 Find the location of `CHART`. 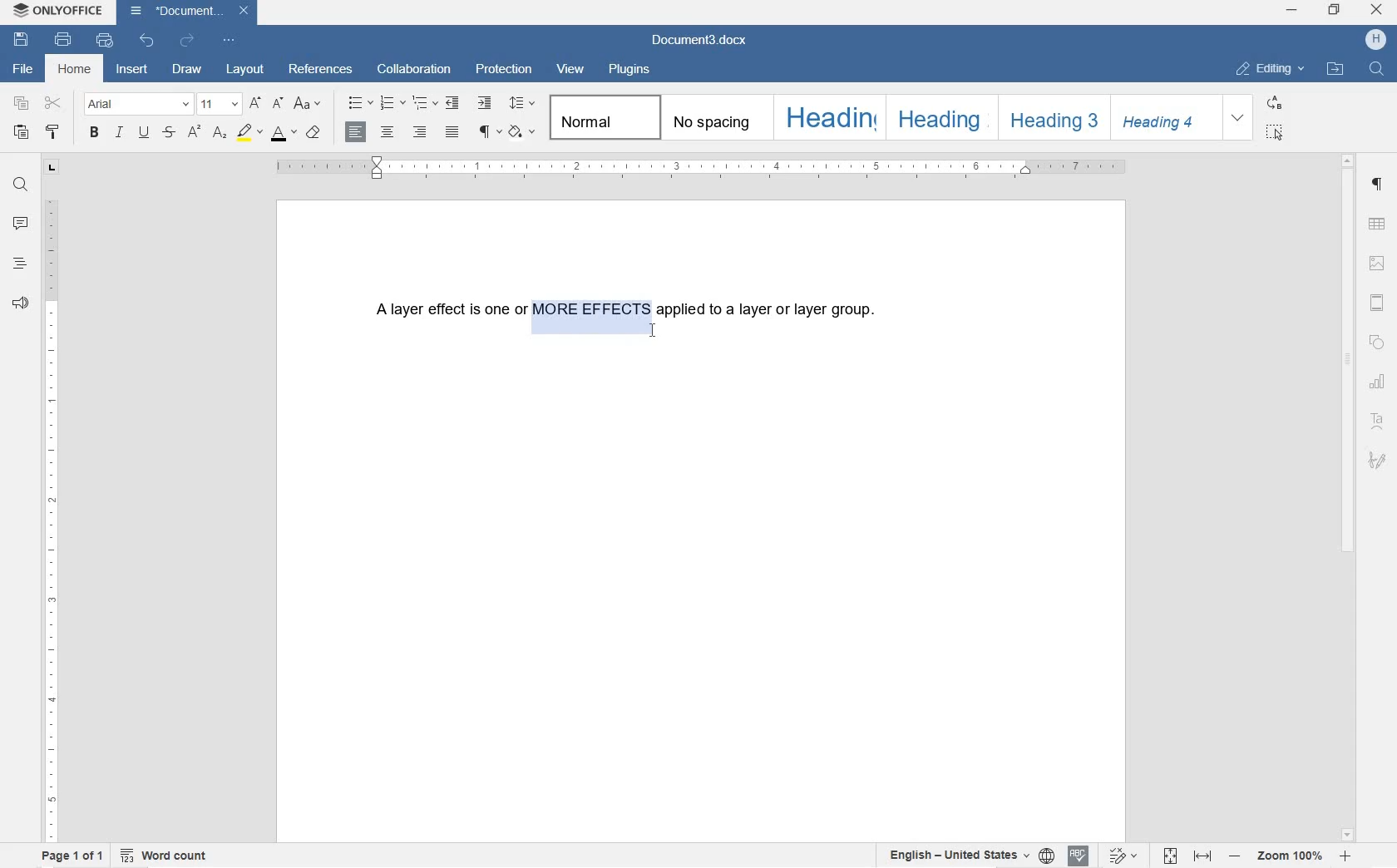

CHART is located at coordinates (1380, 382).